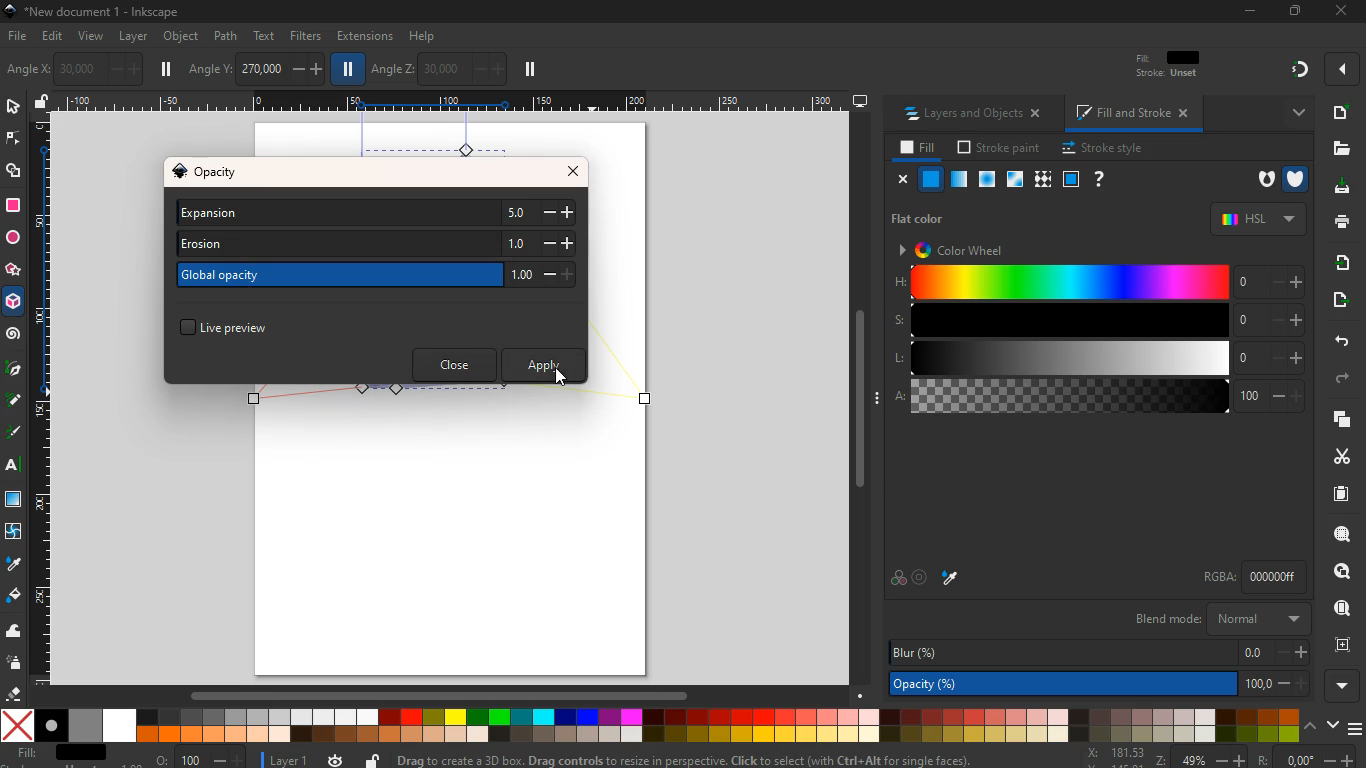 The image size is (1366, 768). Describe the element at coordinates (705, 759) in the screenshot. I see `message` at that location.